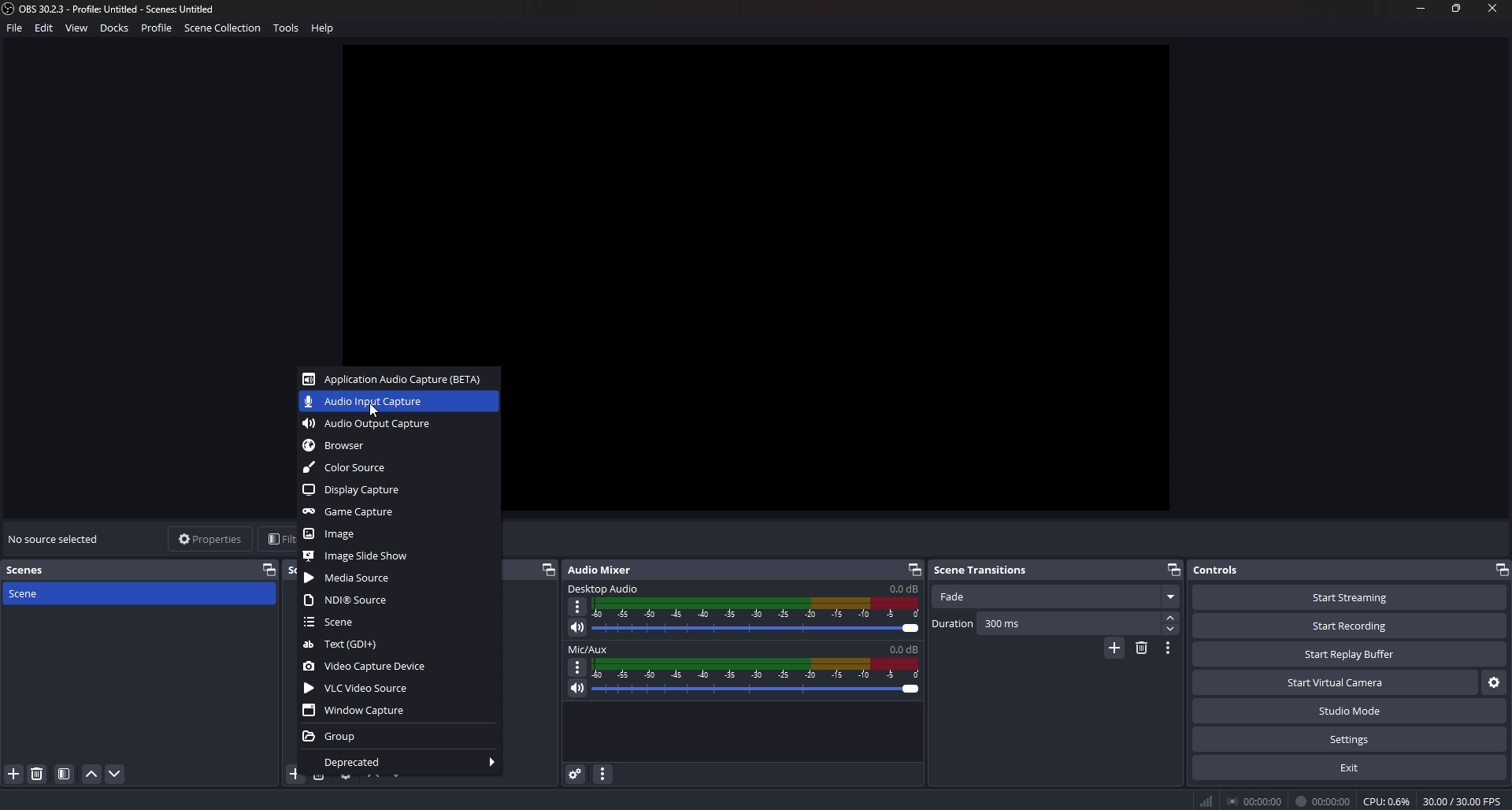 This screenshot has width=1512, height=810. I want to click on ndi source, so click(397, 599).